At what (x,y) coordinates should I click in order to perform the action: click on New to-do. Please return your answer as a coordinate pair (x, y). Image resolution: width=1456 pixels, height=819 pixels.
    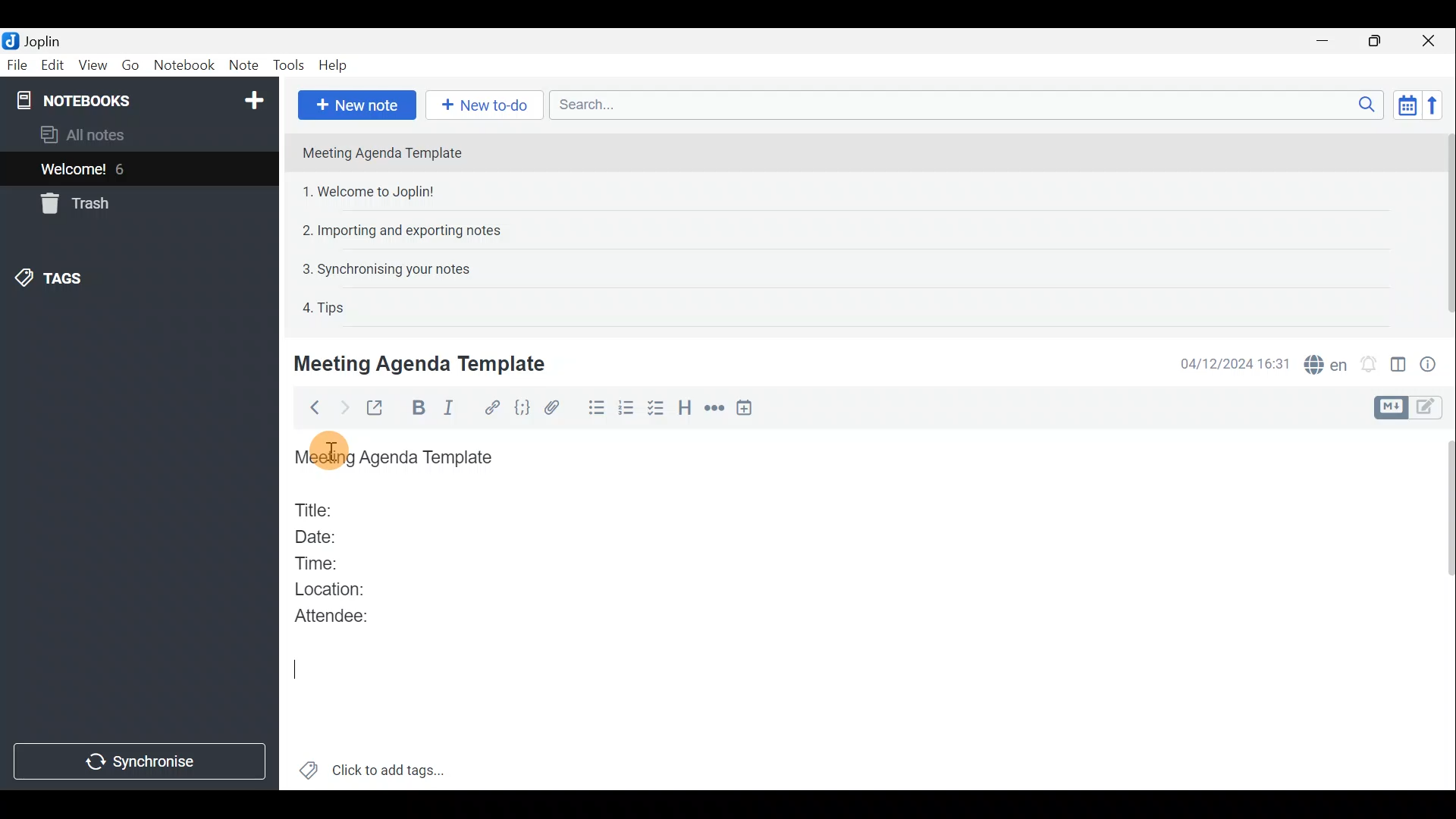
    Looking at the image, I should click on (481, 105).